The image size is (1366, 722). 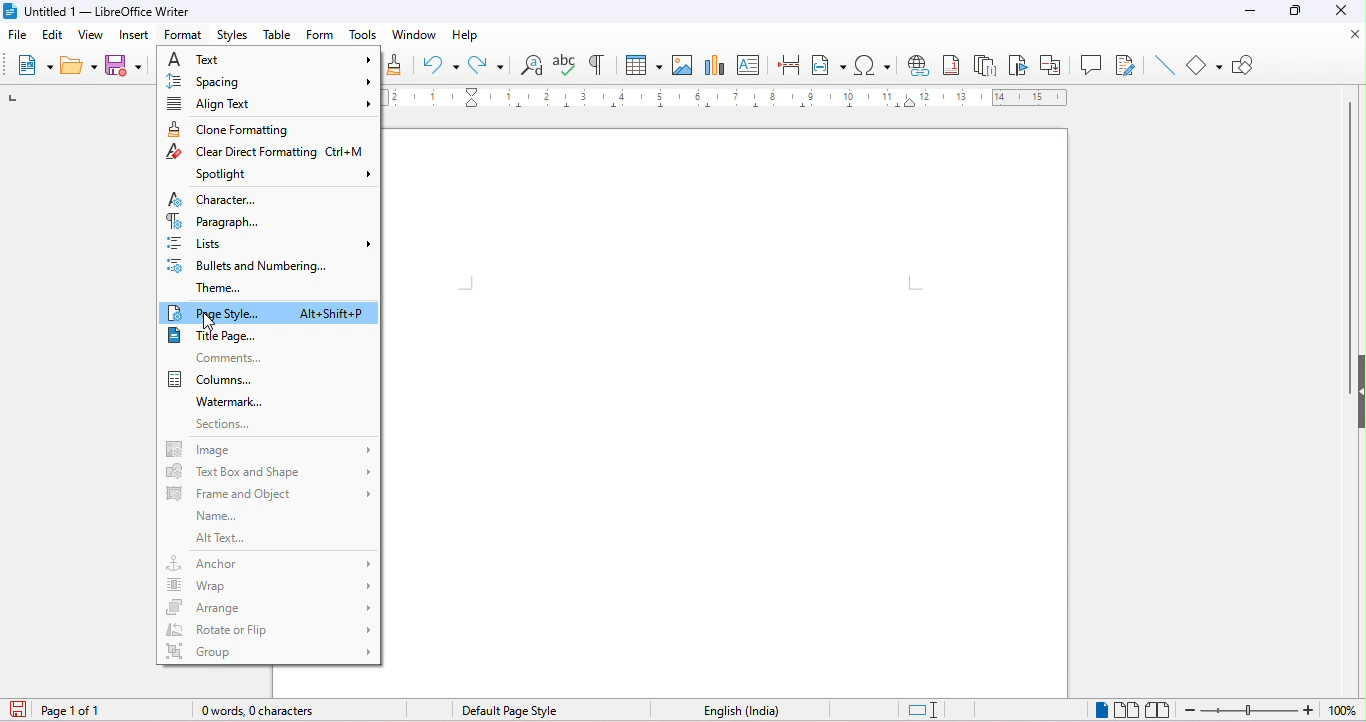 What do you see at coordinates (1092, 64) in the screenshot?
I see `comment` at bounding box center [1092, 64].